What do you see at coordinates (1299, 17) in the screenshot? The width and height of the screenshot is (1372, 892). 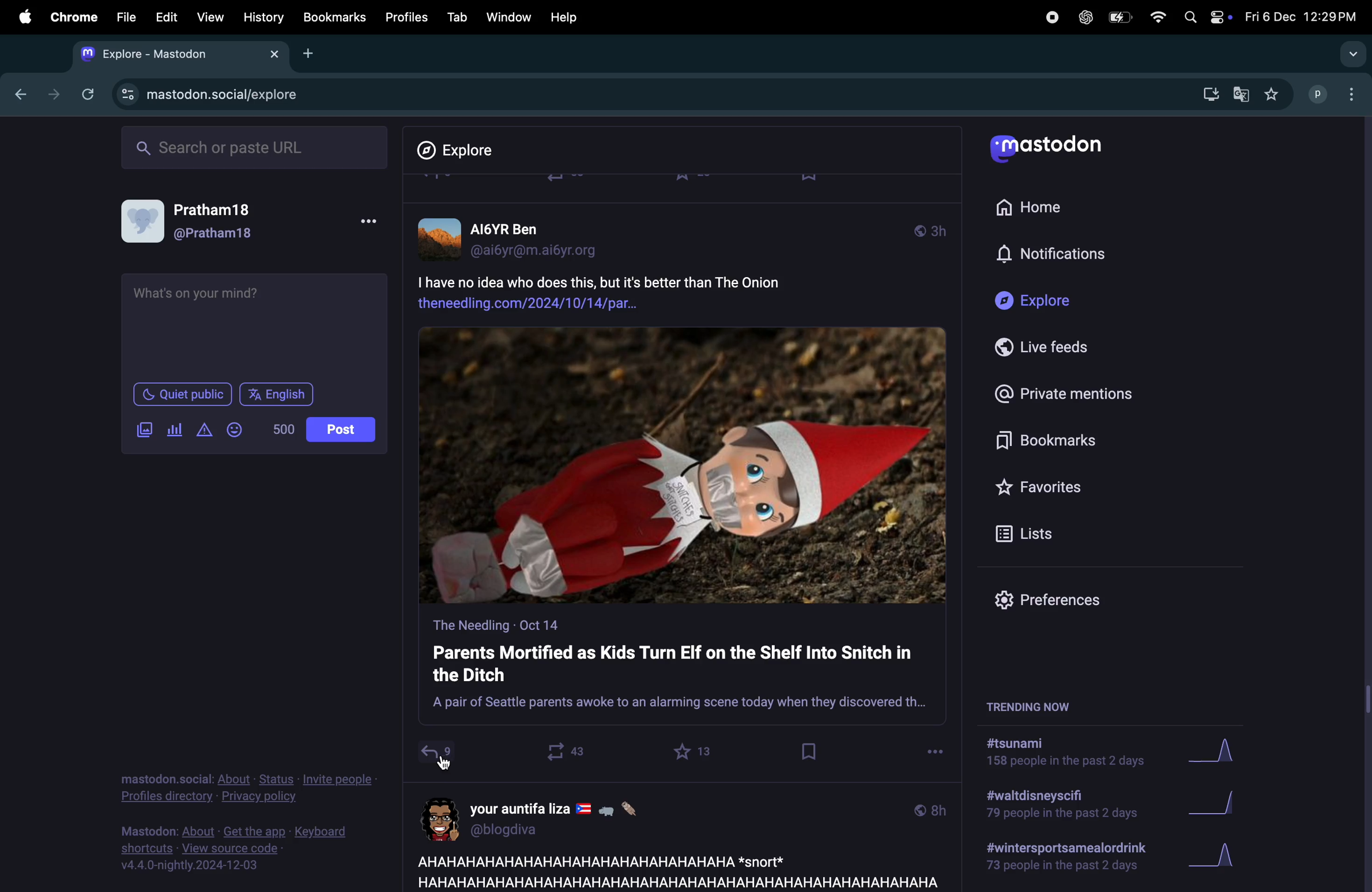 I see `date and time` at bounding box center [1299, 17].